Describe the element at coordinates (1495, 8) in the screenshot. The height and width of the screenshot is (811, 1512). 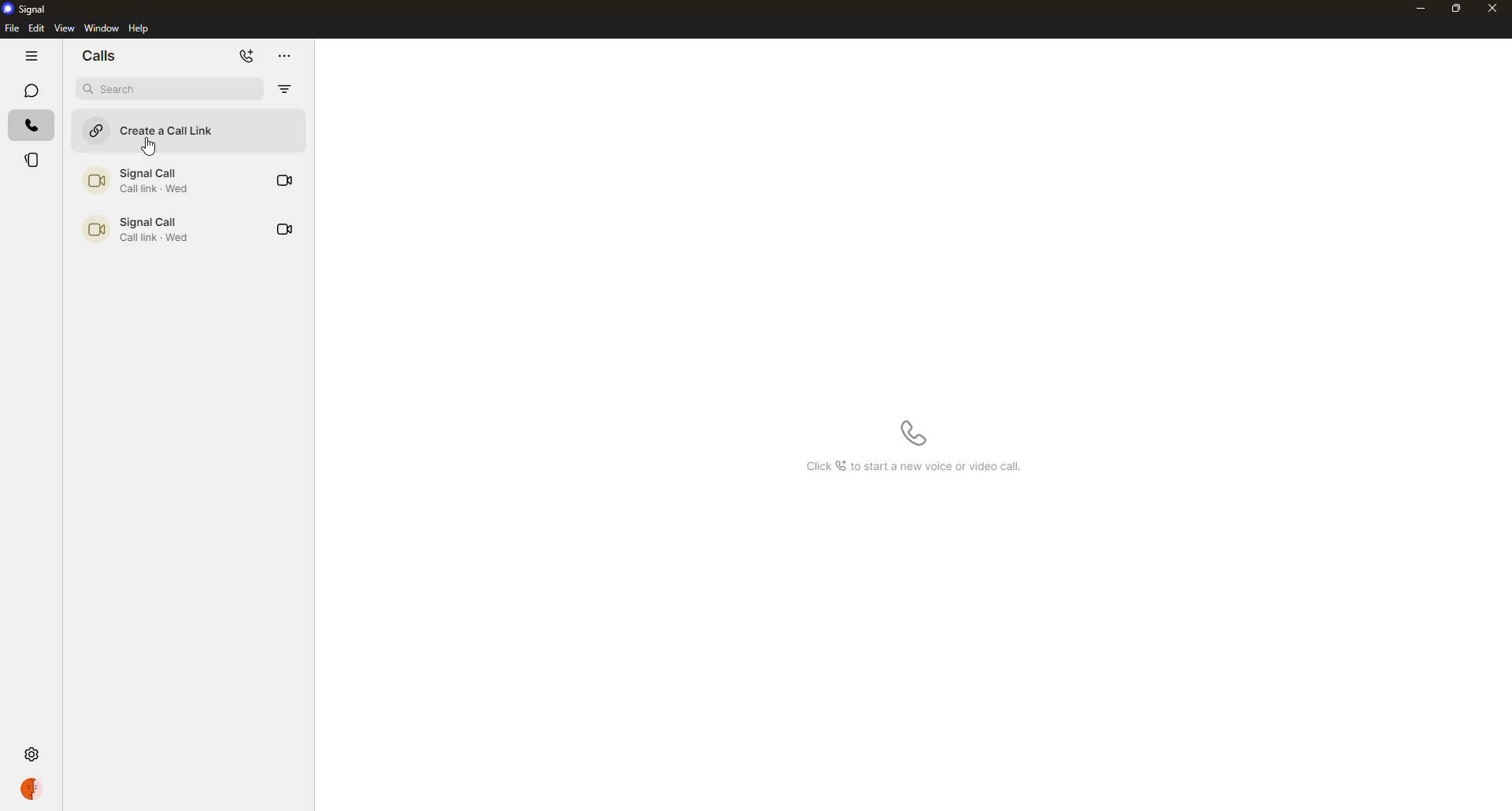
I see `close` at that location.